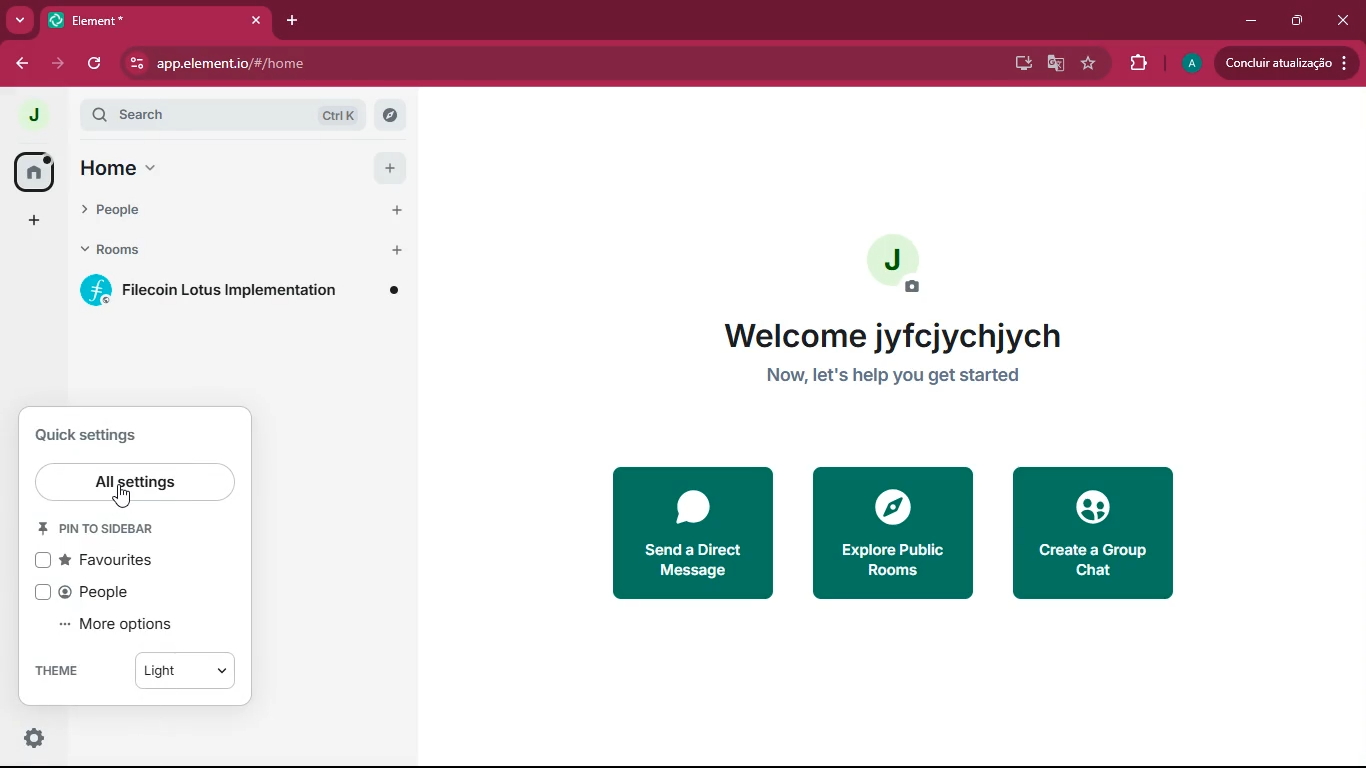 The height and width of the screenshot is (768, 1366). Describe the element at coordinates (1137, 61) in the screenshot. I see `extensions` at that location.